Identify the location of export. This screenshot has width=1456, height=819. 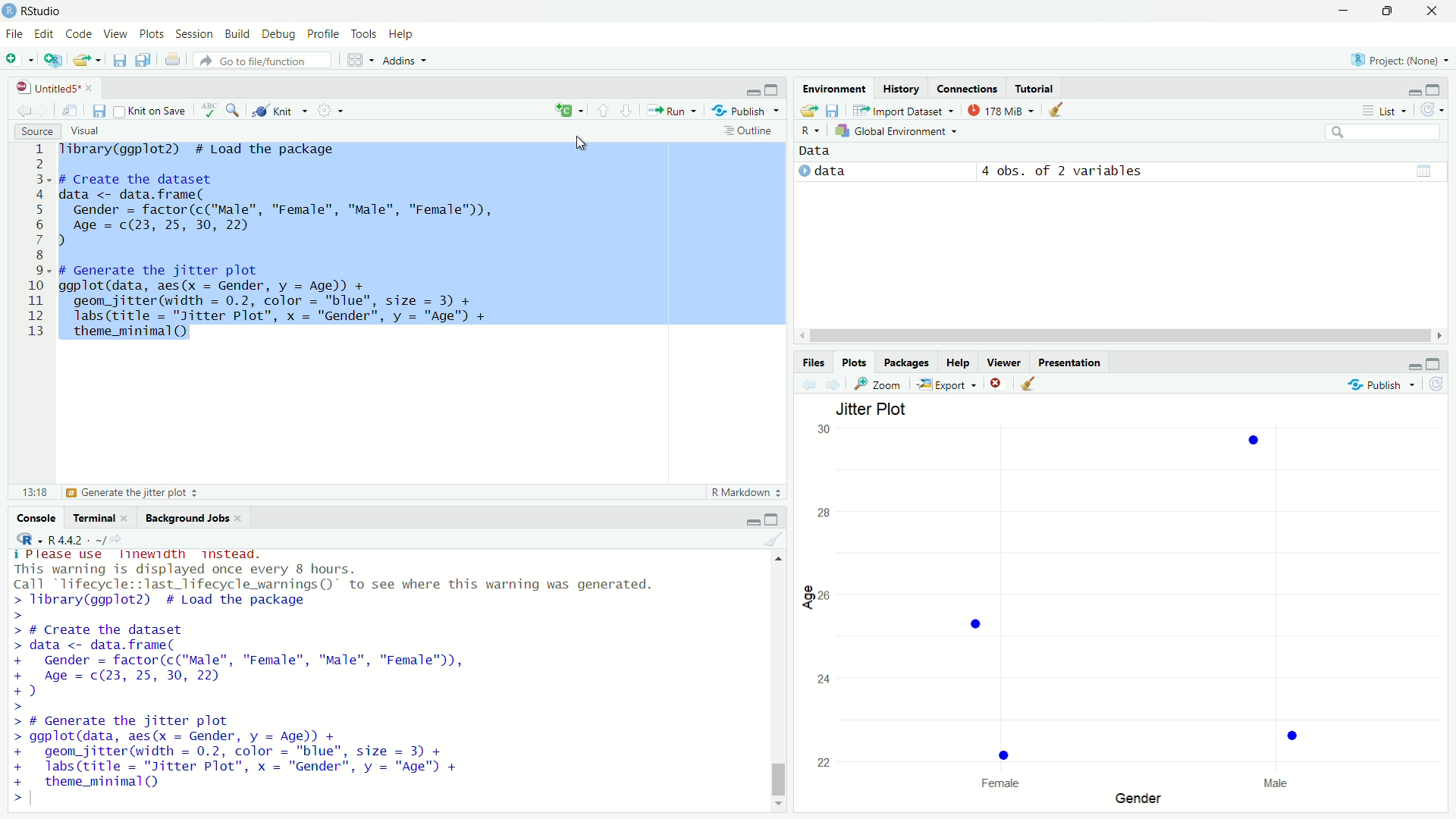
(949, 385).